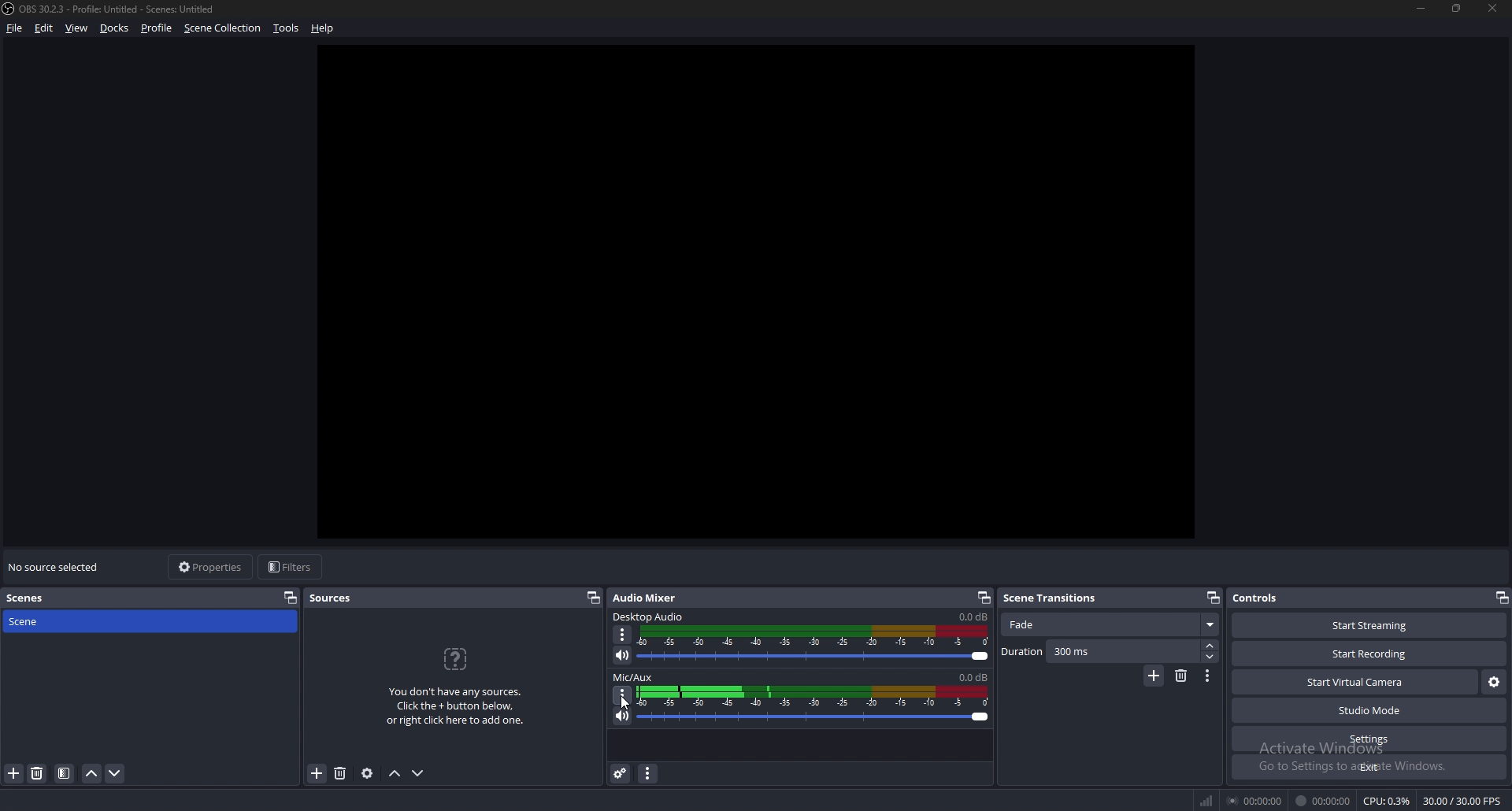 The image size is (1512, 811). What do you see at coordinates (1465, 801) in the screenshot?
I see `30.00/30.00 FPS` at bounding box center [1465, 801].